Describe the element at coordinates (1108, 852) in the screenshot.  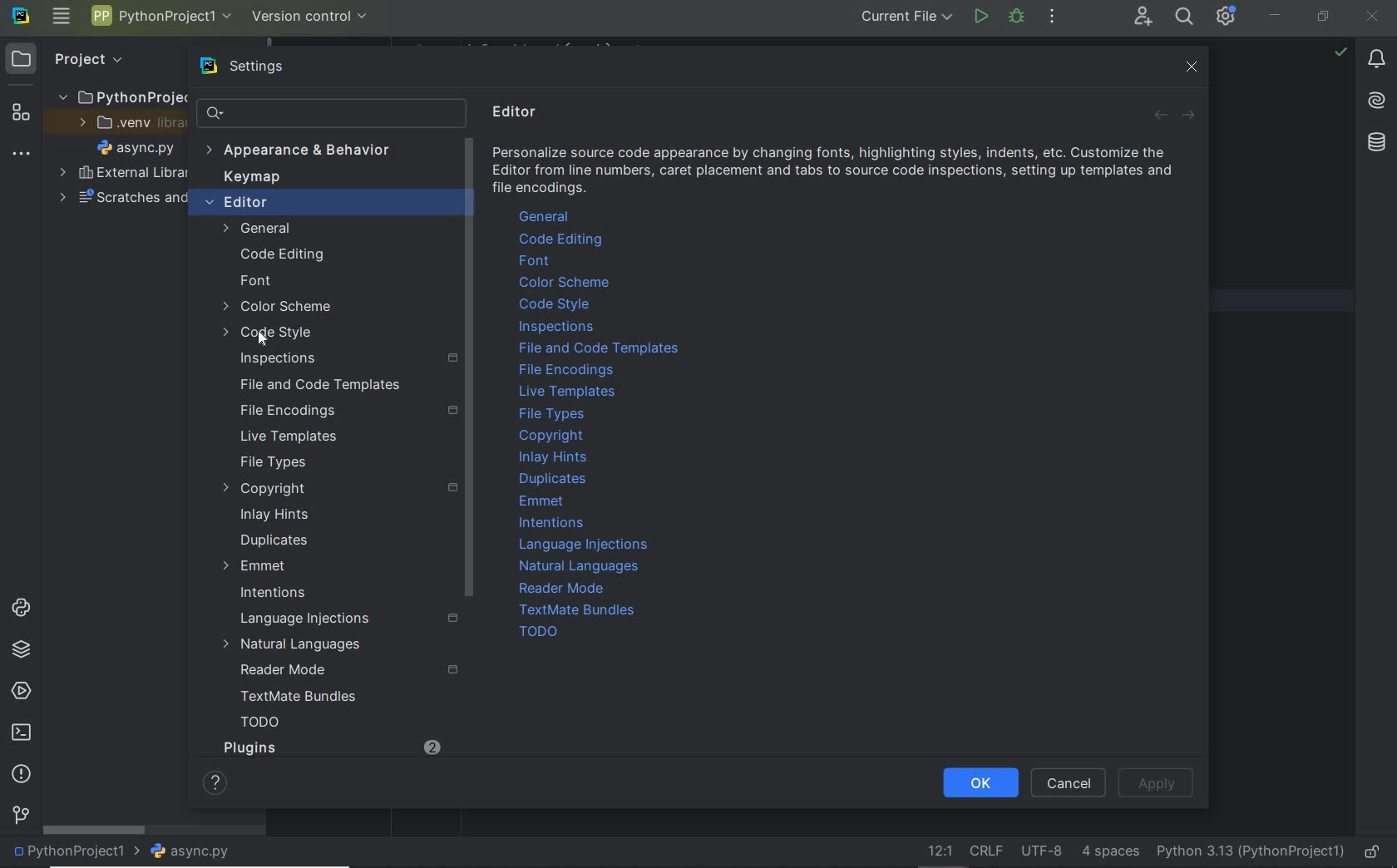
I see `indent` at that location.